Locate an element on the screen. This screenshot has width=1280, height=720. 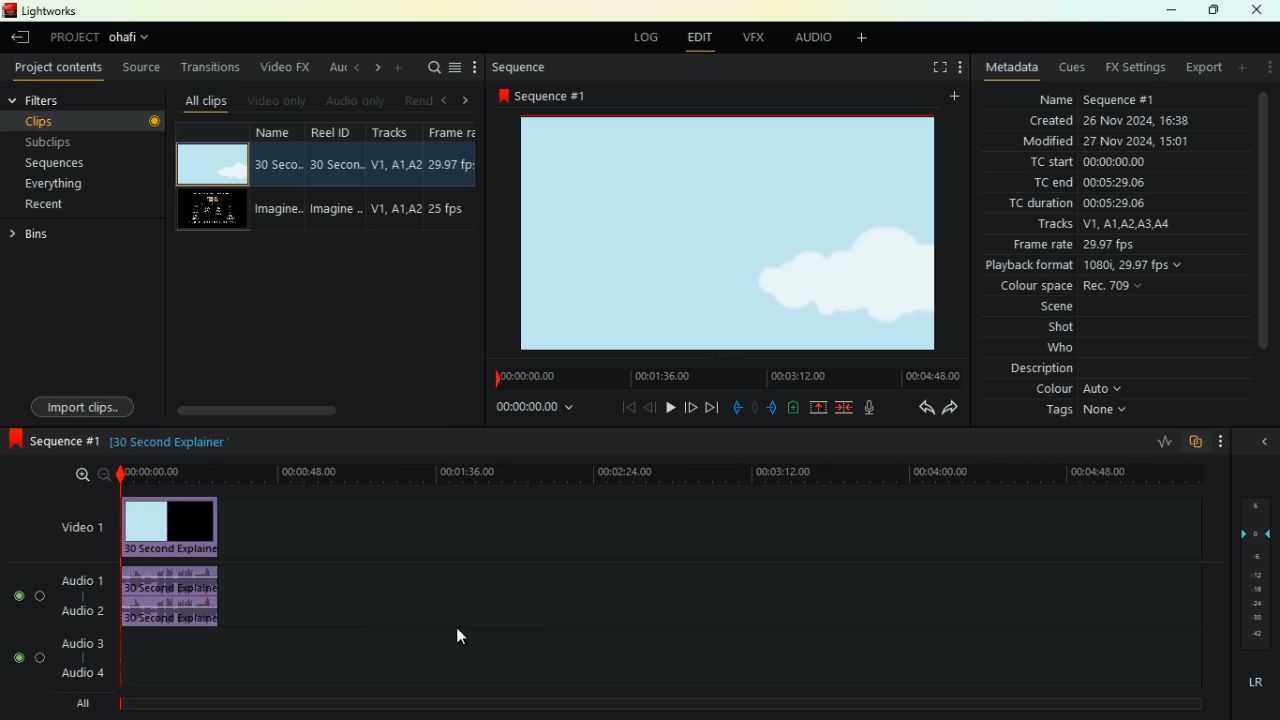
close is located at coordinates (1260, 10).